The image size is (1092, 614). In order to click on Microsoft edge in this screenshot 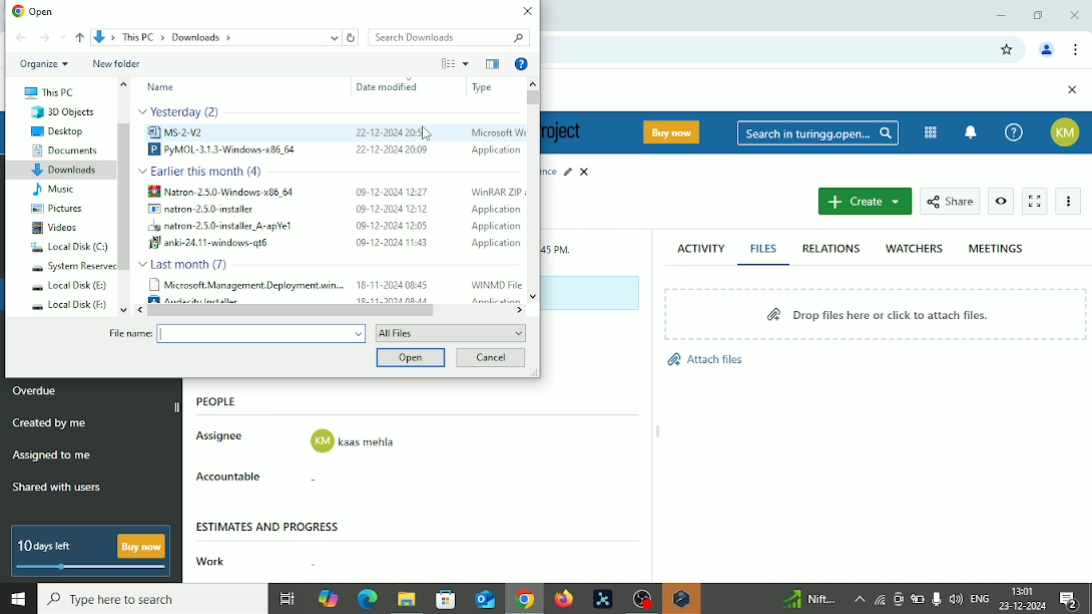, I will do `click(366, 600)`.